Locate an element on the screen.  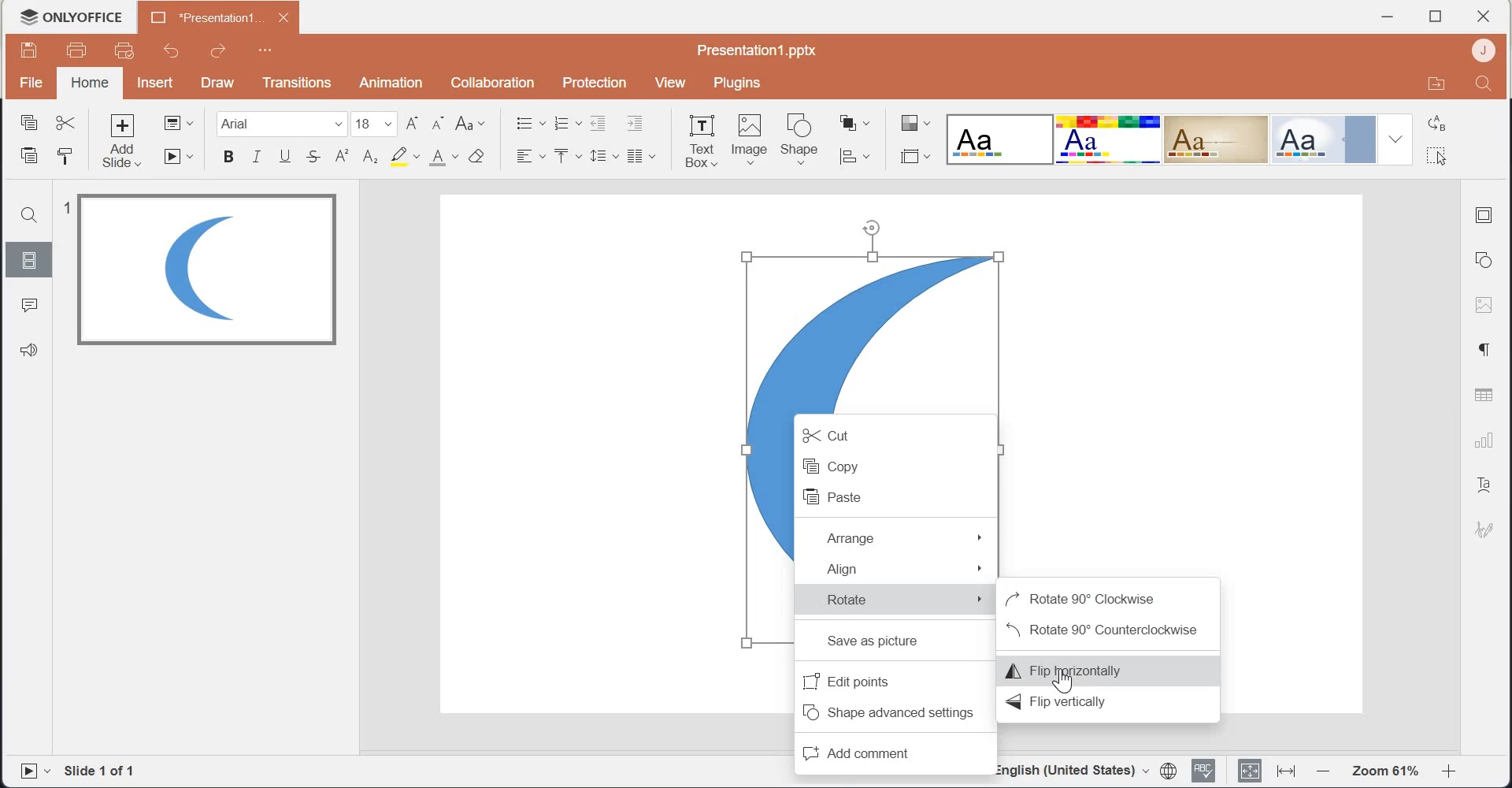
close is located at coordinates (283, 17).